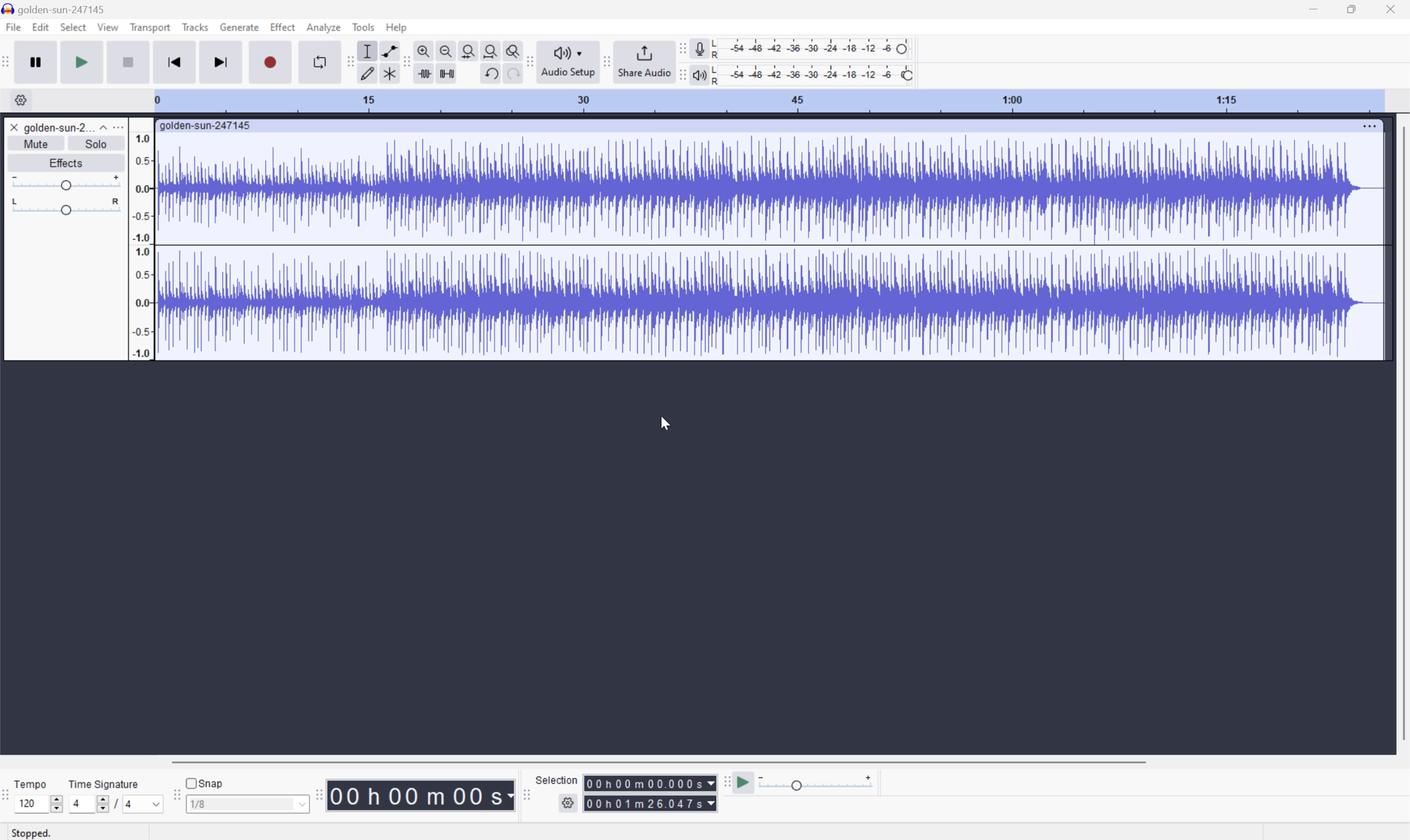  Describe the element at coordinates (569, 62) in the screenshot. I see `Audio setup` at that location.